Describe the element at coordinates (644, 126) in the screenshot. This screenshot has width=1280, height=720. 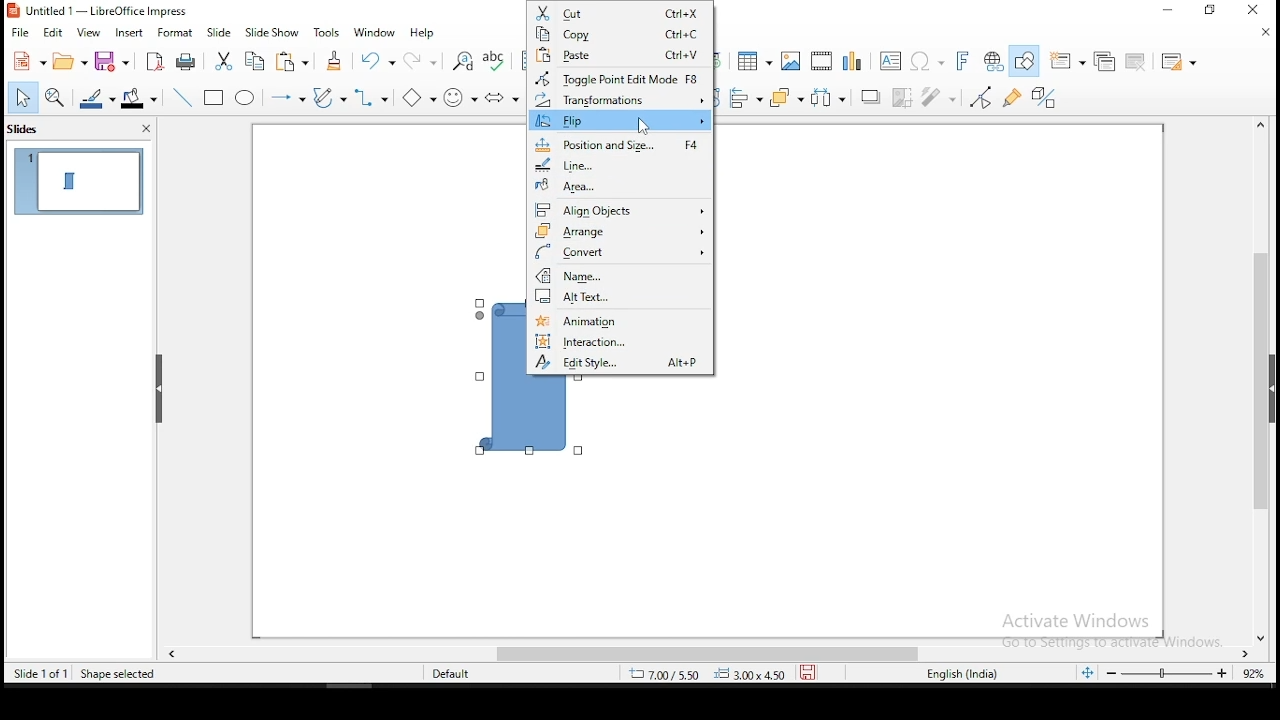
I see `mouse pointer` at that location.